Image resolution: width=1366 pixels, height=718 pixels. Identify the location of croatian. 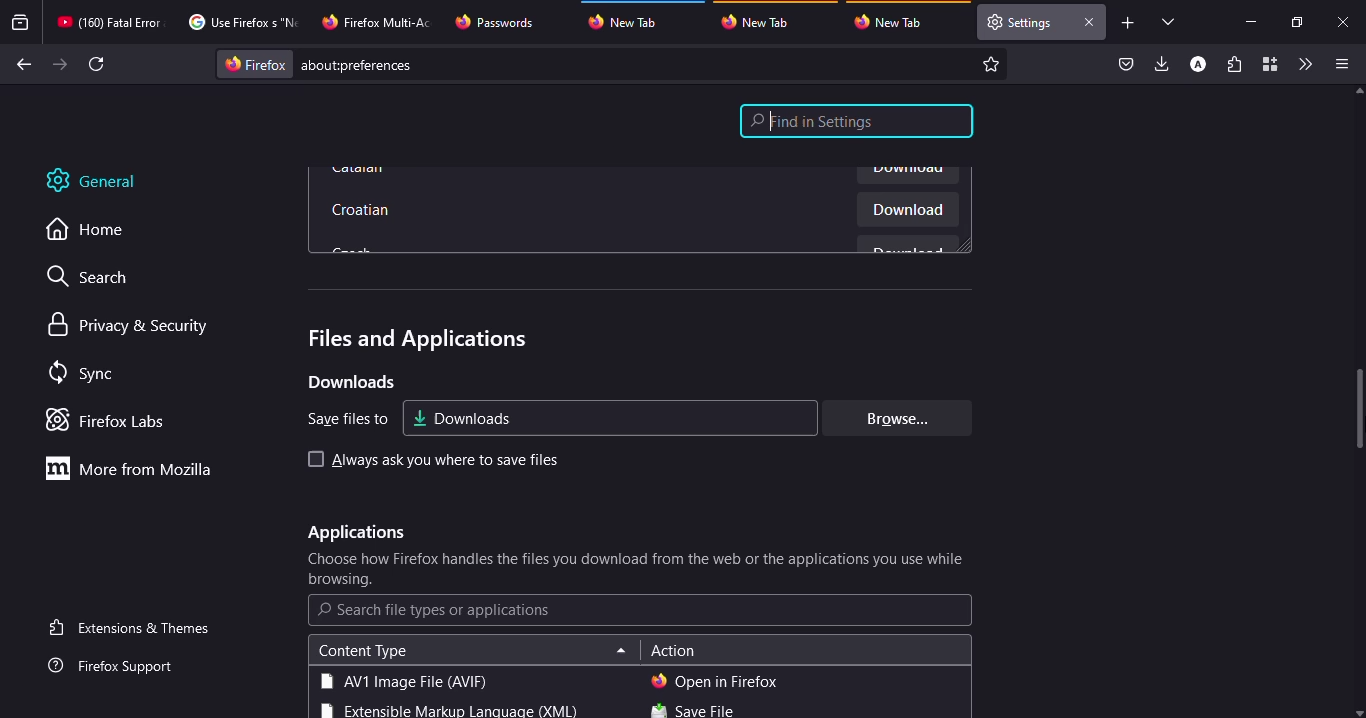
(366, 208).